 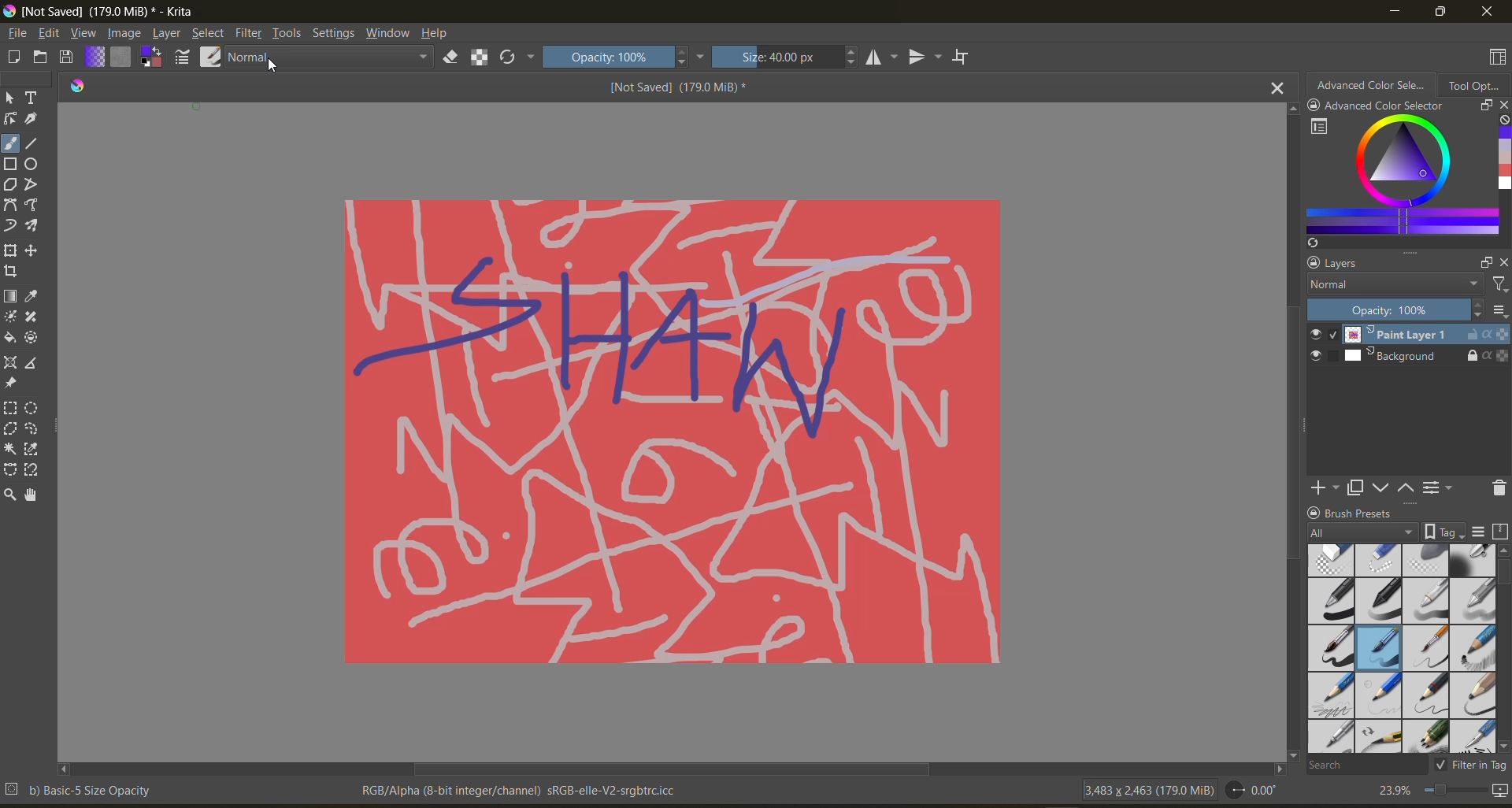 I want to click on edit, so click(x=50, y=33).